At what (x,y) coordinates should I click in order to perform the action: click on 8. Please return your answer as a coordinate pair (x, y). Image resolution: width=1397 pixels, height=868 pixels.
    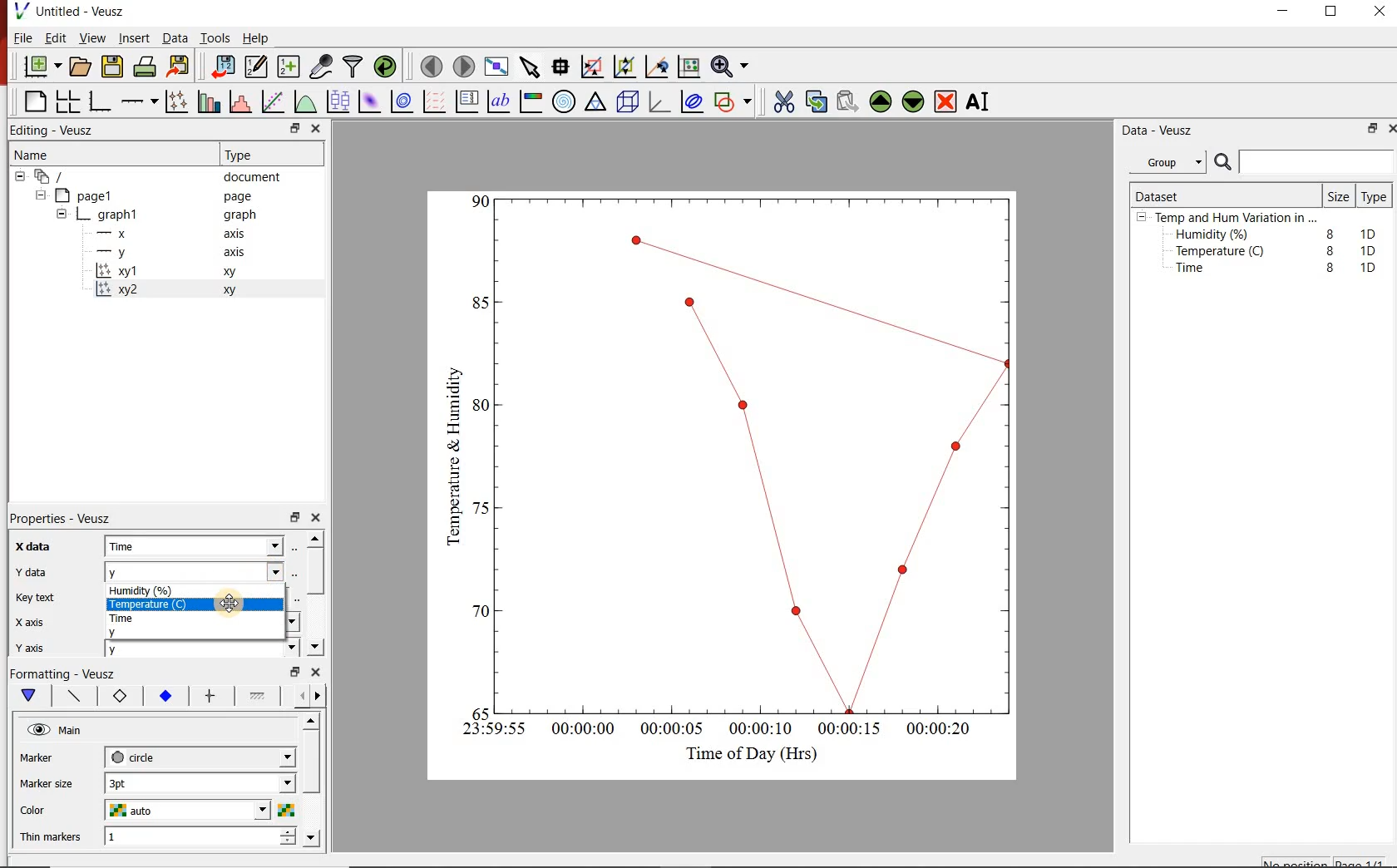
    Looking at the image, I should click on (1330, 268).